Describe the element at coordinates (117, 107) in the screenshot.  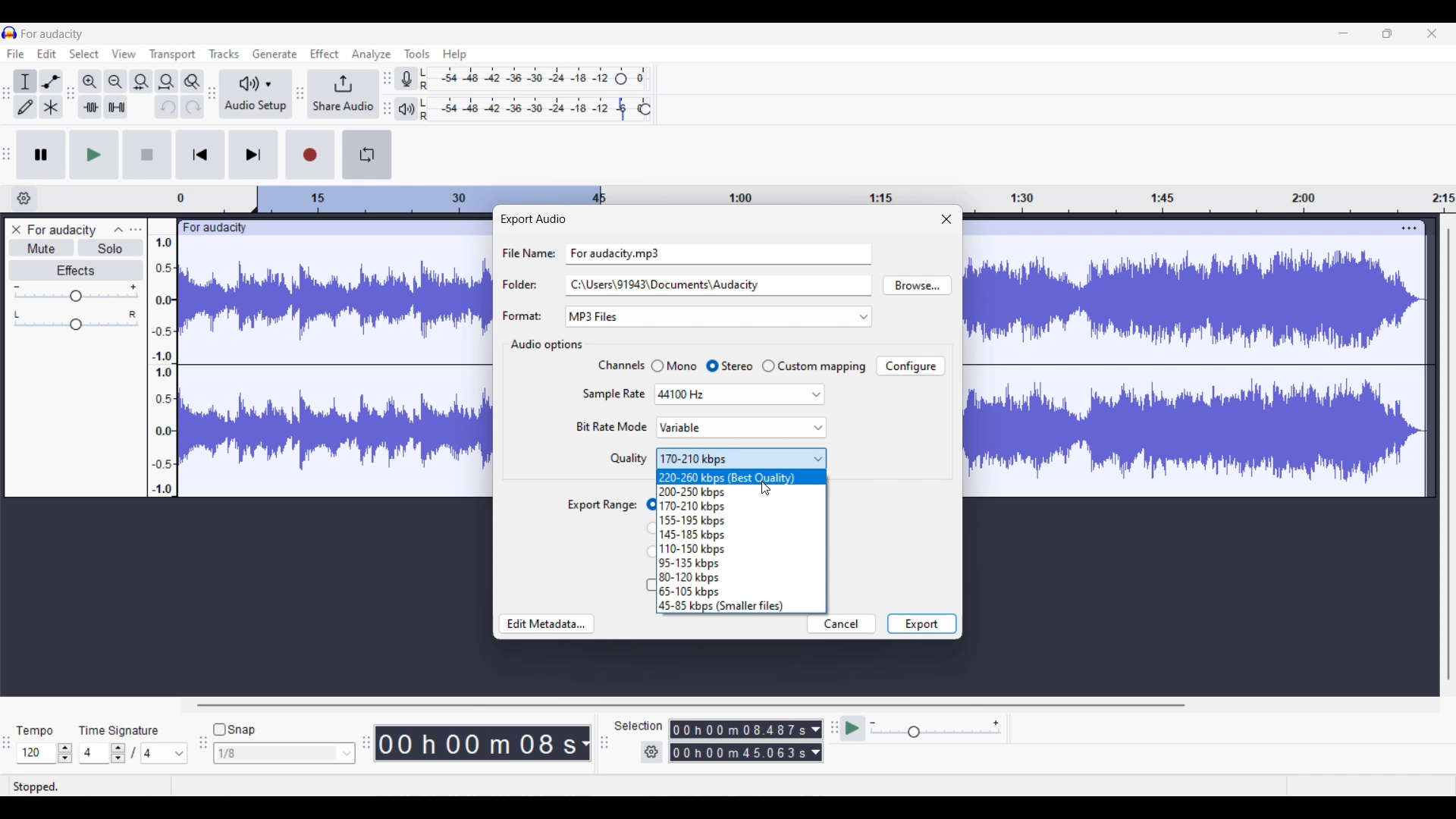
I see `Silence audio selection` at that location.